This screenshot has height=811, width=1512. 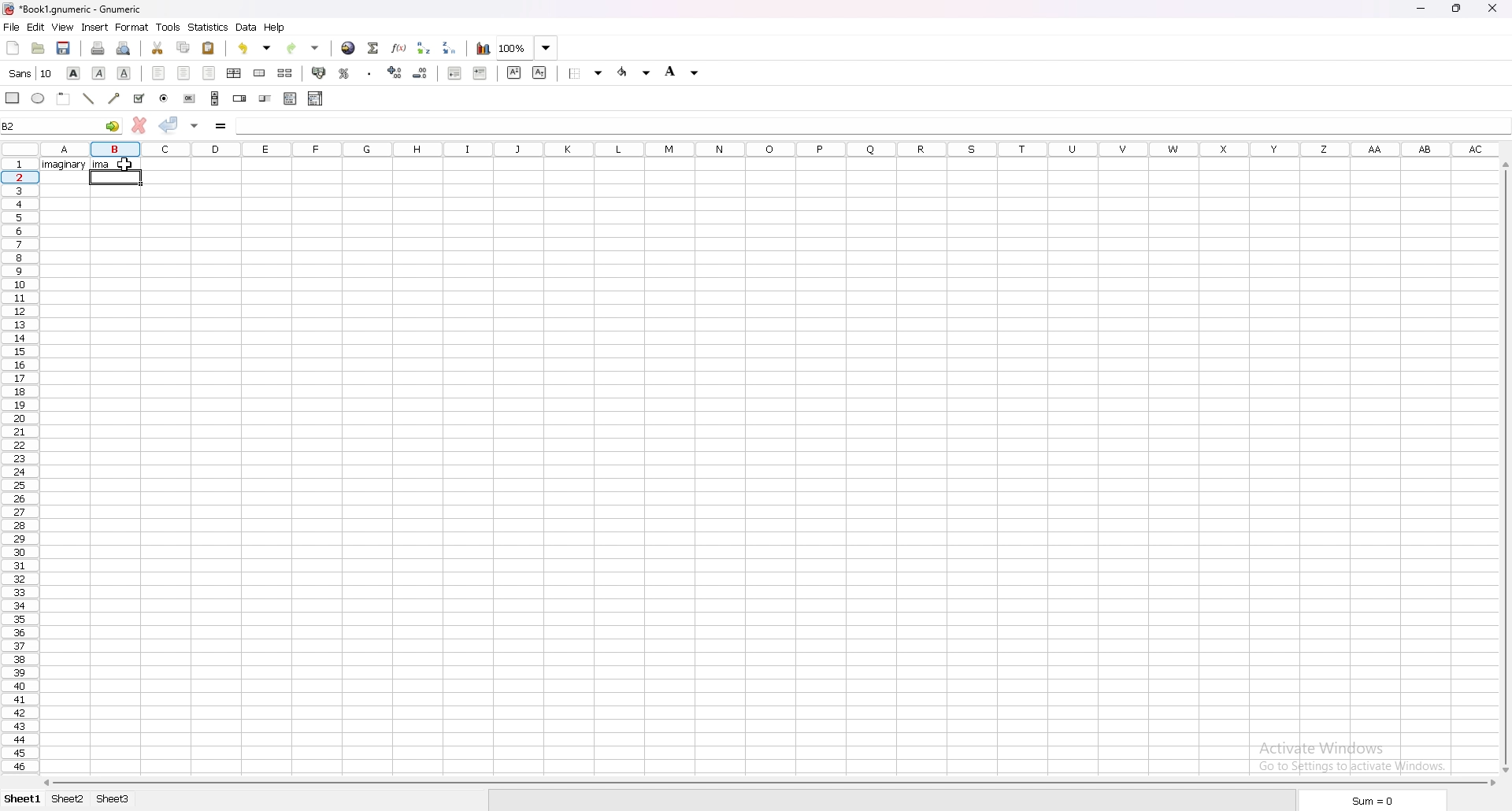 I want to click on sheet, so click(x=71, y=799).